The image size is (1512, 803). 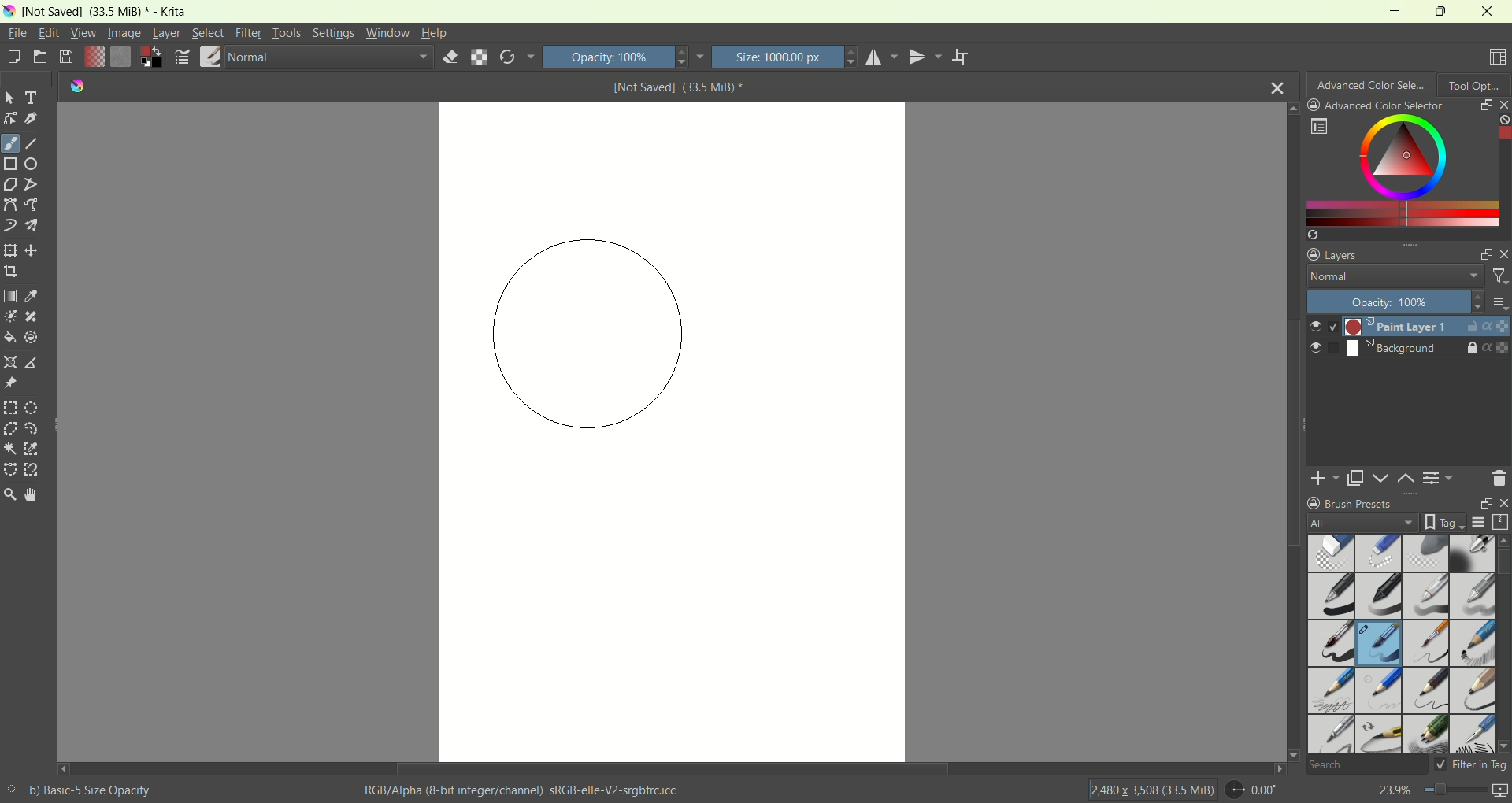 I want to click on cursor/brush, so click(x=592, y=328).